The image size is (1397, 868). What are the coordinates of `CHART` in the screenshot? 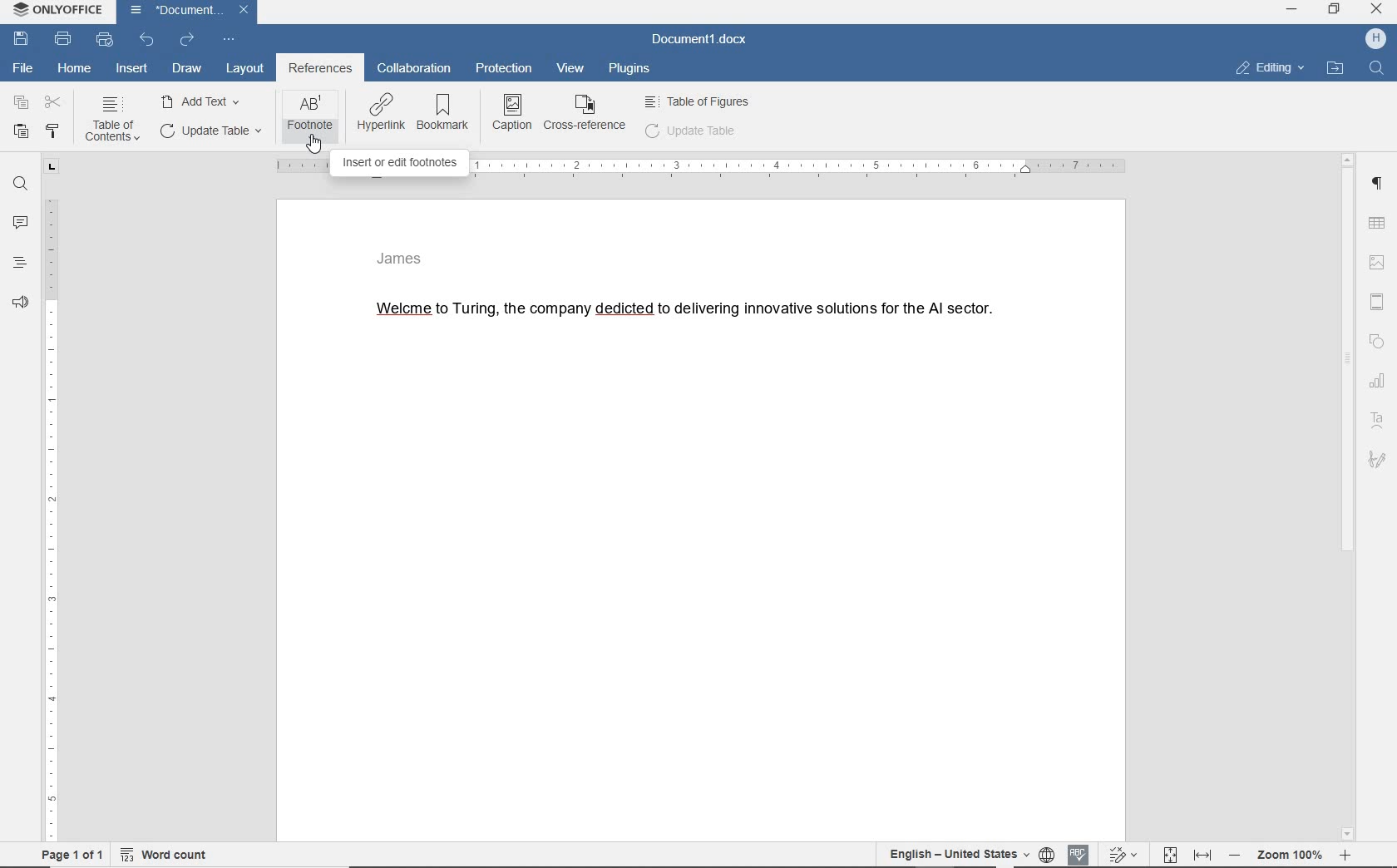 It's located at (1380, 380).